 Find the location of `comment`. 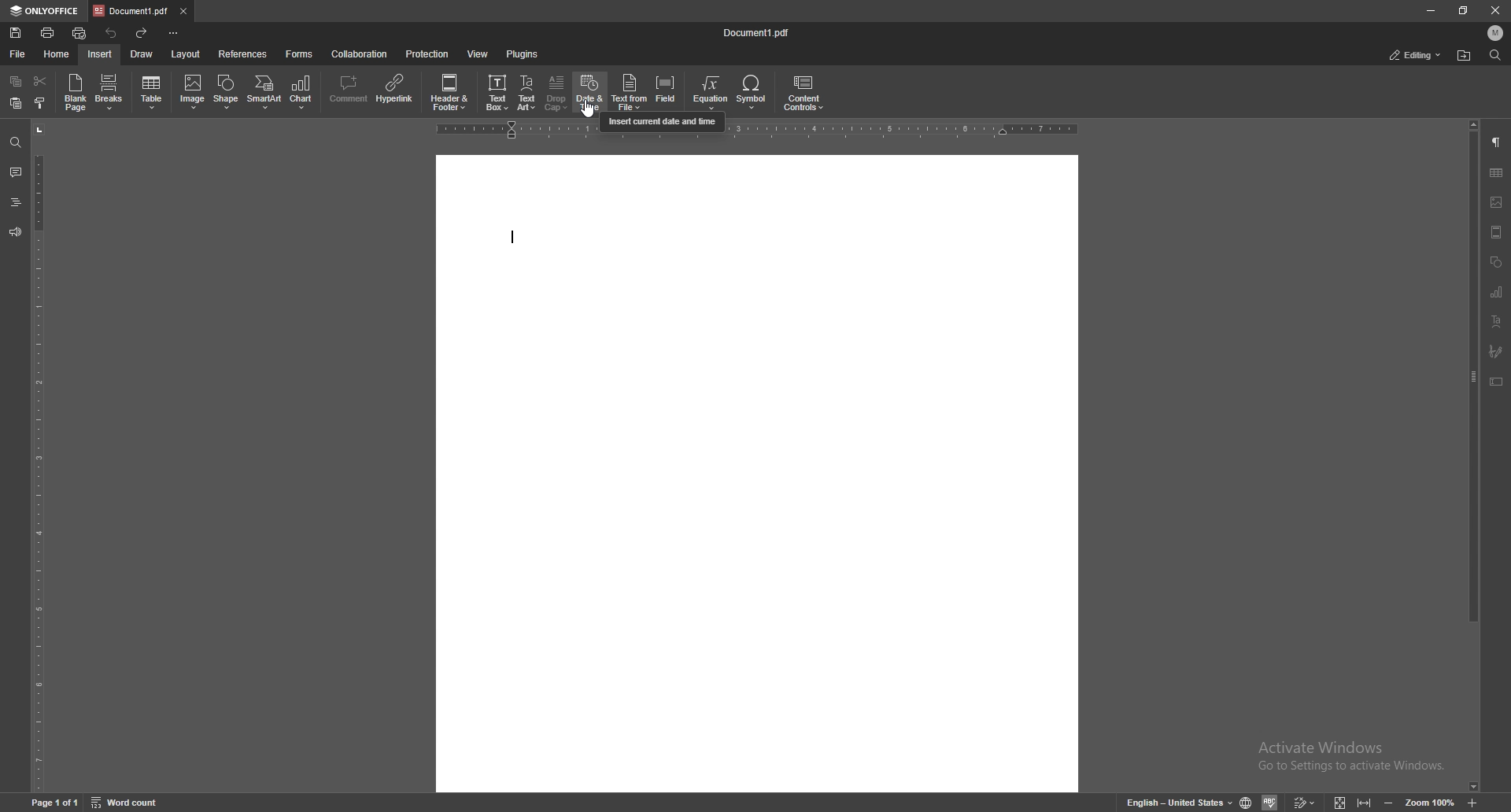

comment is located at coordinates (15, 172).